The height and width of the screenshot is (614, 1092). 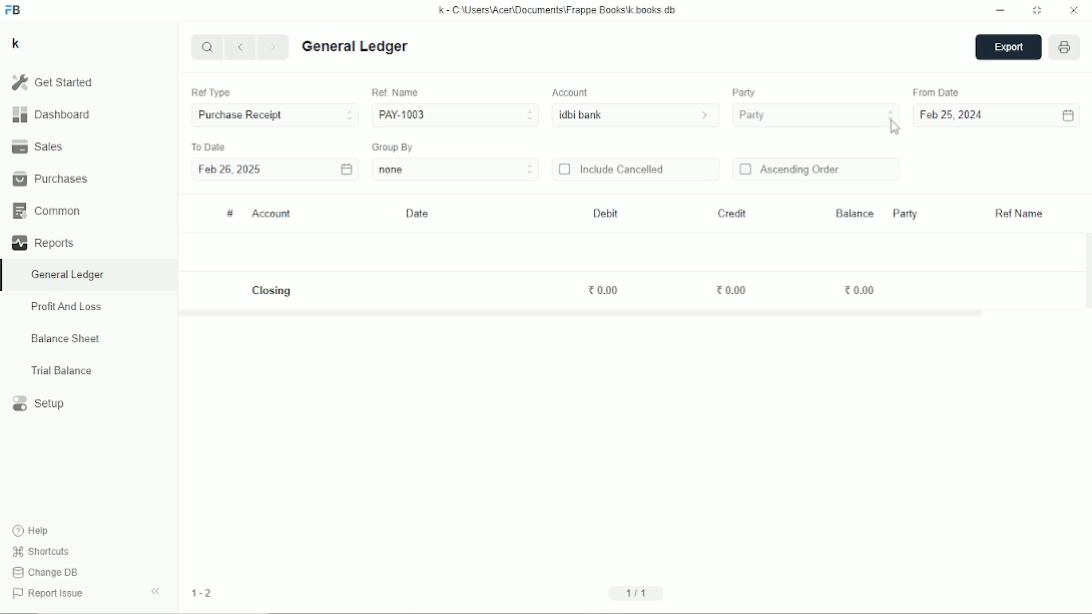 I want to click on Minimize, so click(x=1001, y=11).